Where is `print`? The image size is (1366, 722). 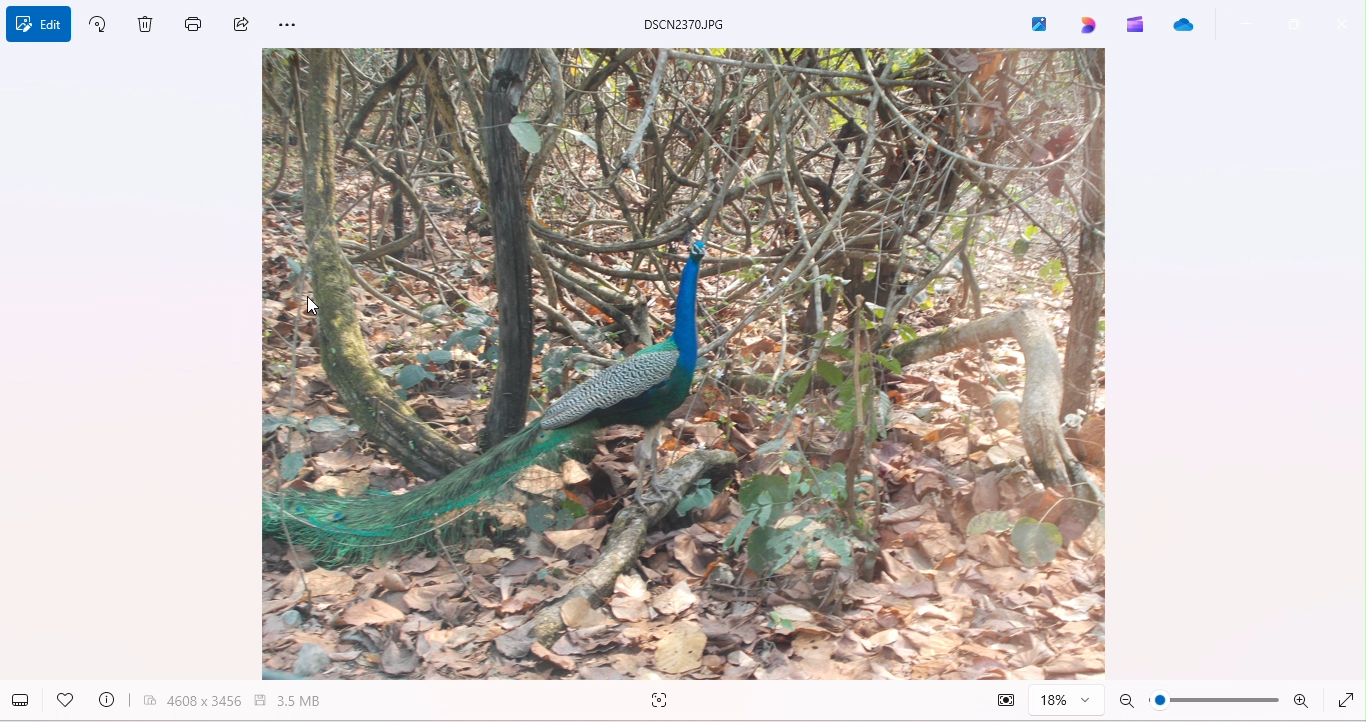 print is located at coordinates (196, 22).